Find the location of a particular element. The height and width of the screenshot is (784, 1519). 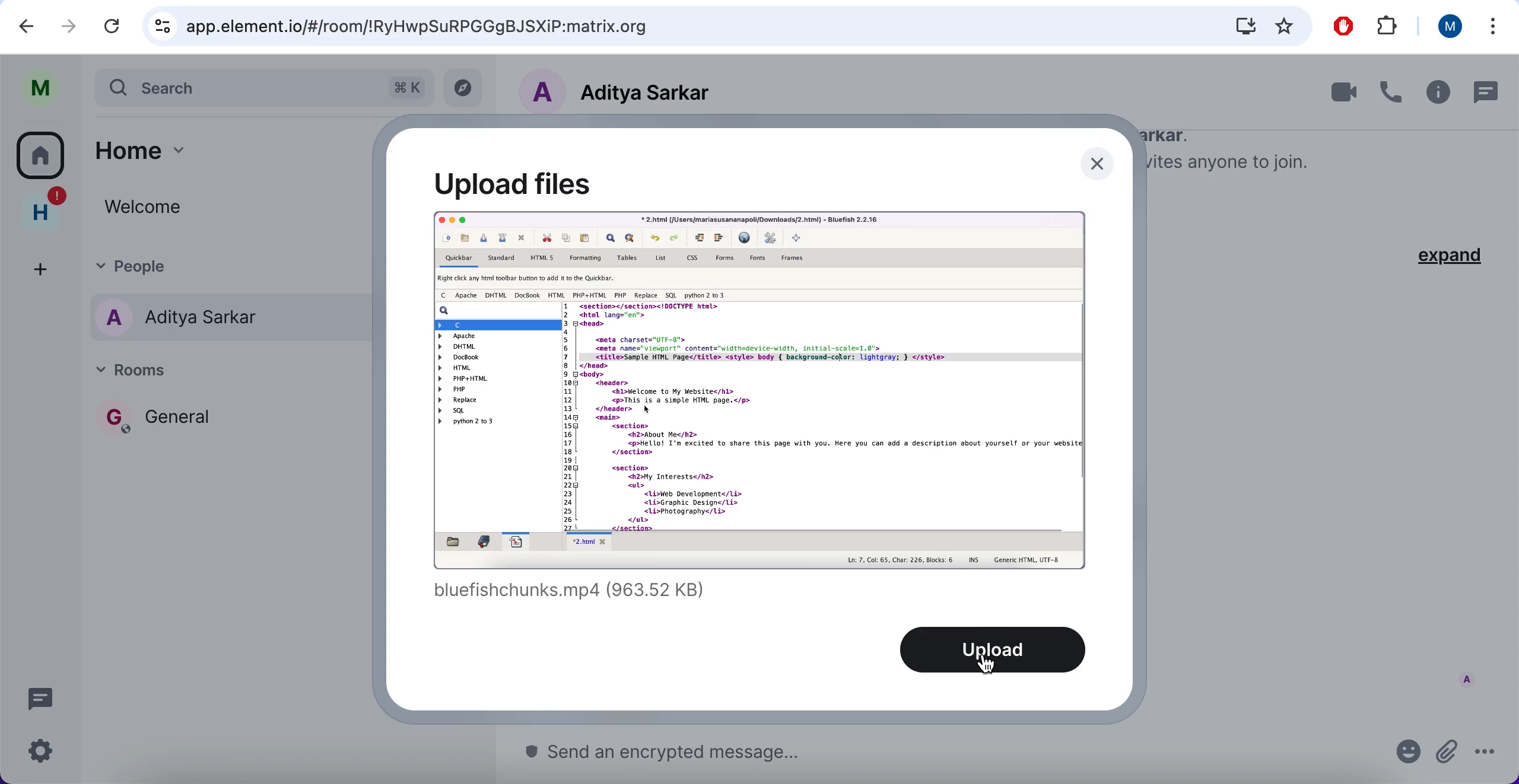

chat is located at coordinates (1485, 91).